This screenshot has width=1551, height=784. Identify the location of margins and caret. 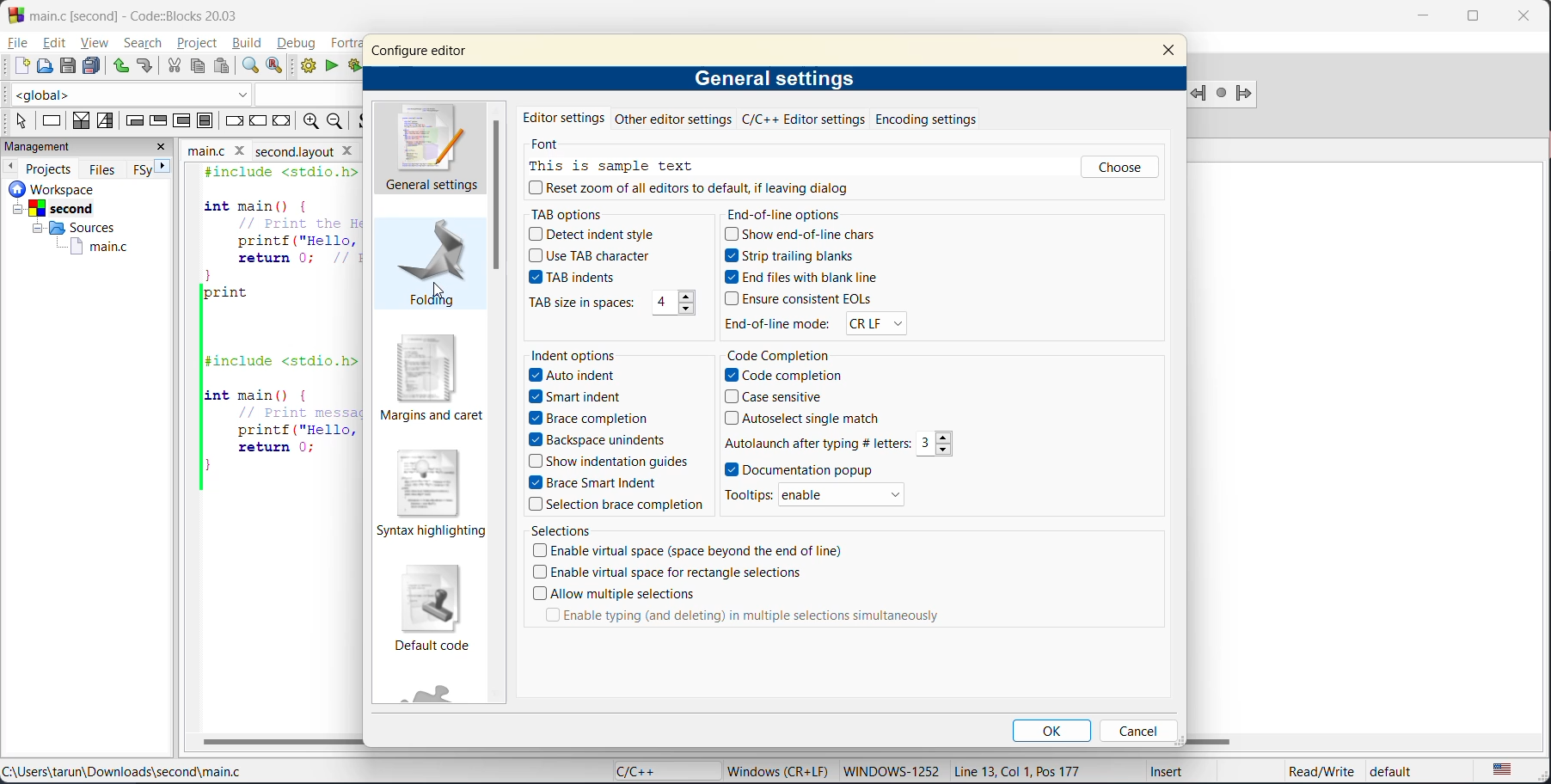
(431, 378).